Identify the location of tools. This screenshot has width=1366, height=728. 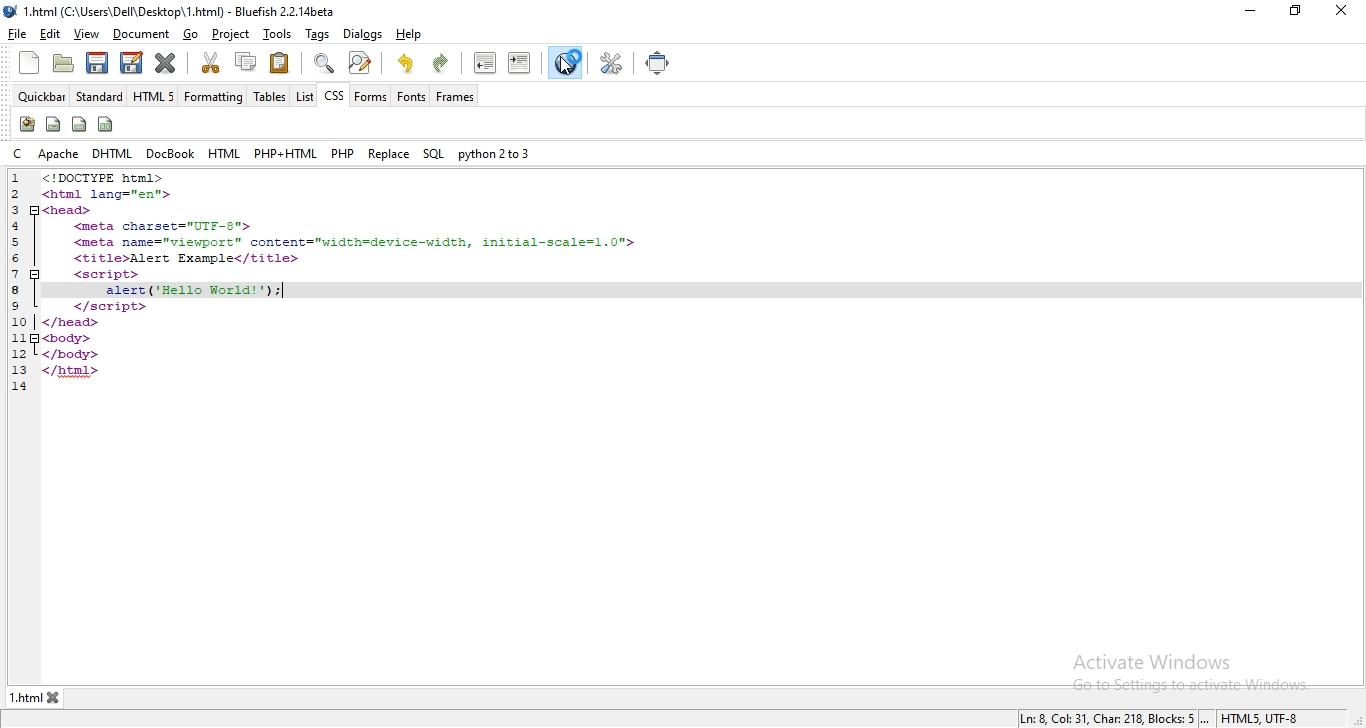
(610, 63).